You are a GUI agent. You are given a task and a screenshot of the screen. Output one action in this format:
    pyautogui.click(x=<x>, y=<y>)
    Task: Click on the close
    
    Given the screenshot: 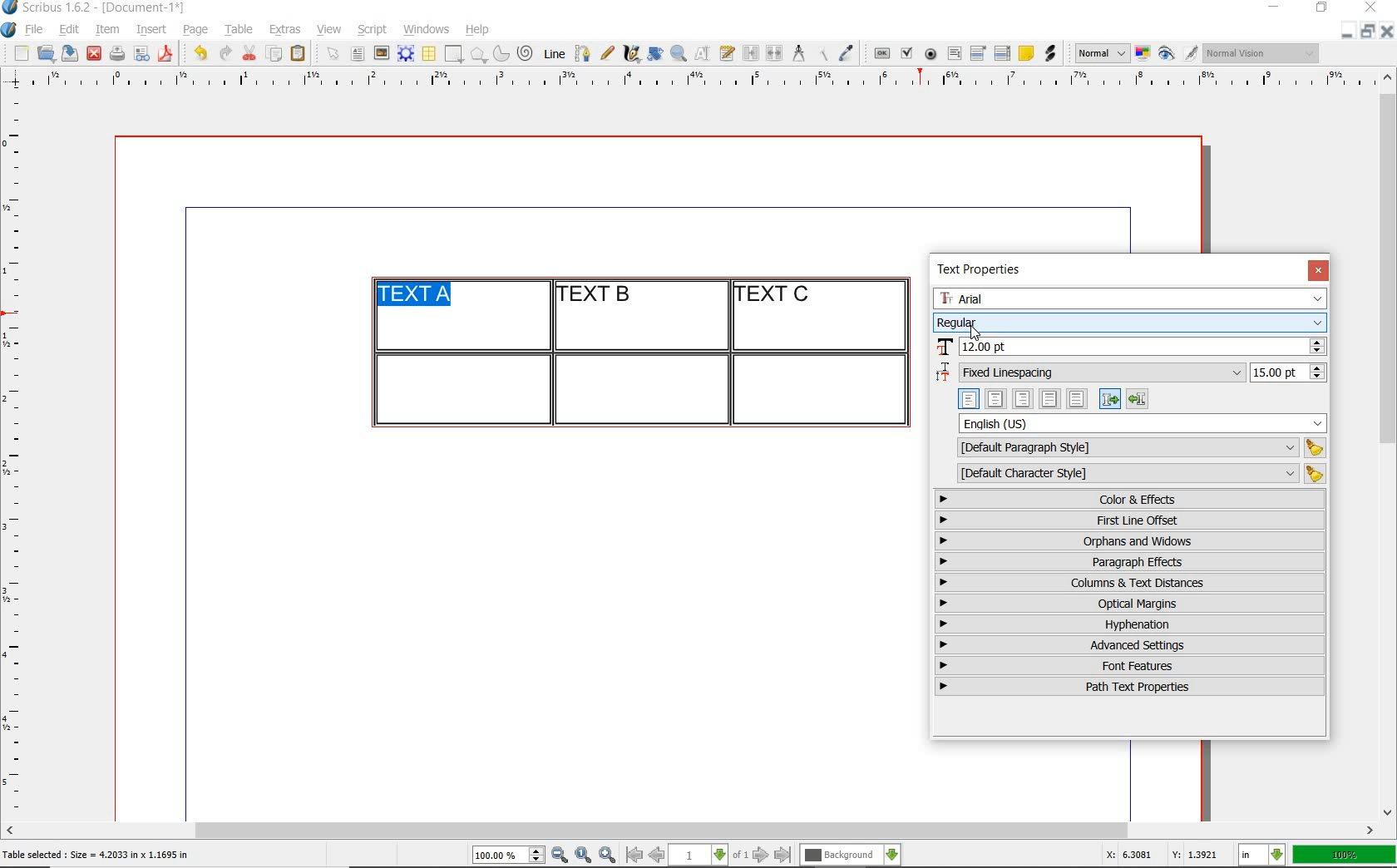 What is the action you would take?
    pyautogui.click(x=1374, y=7)
    